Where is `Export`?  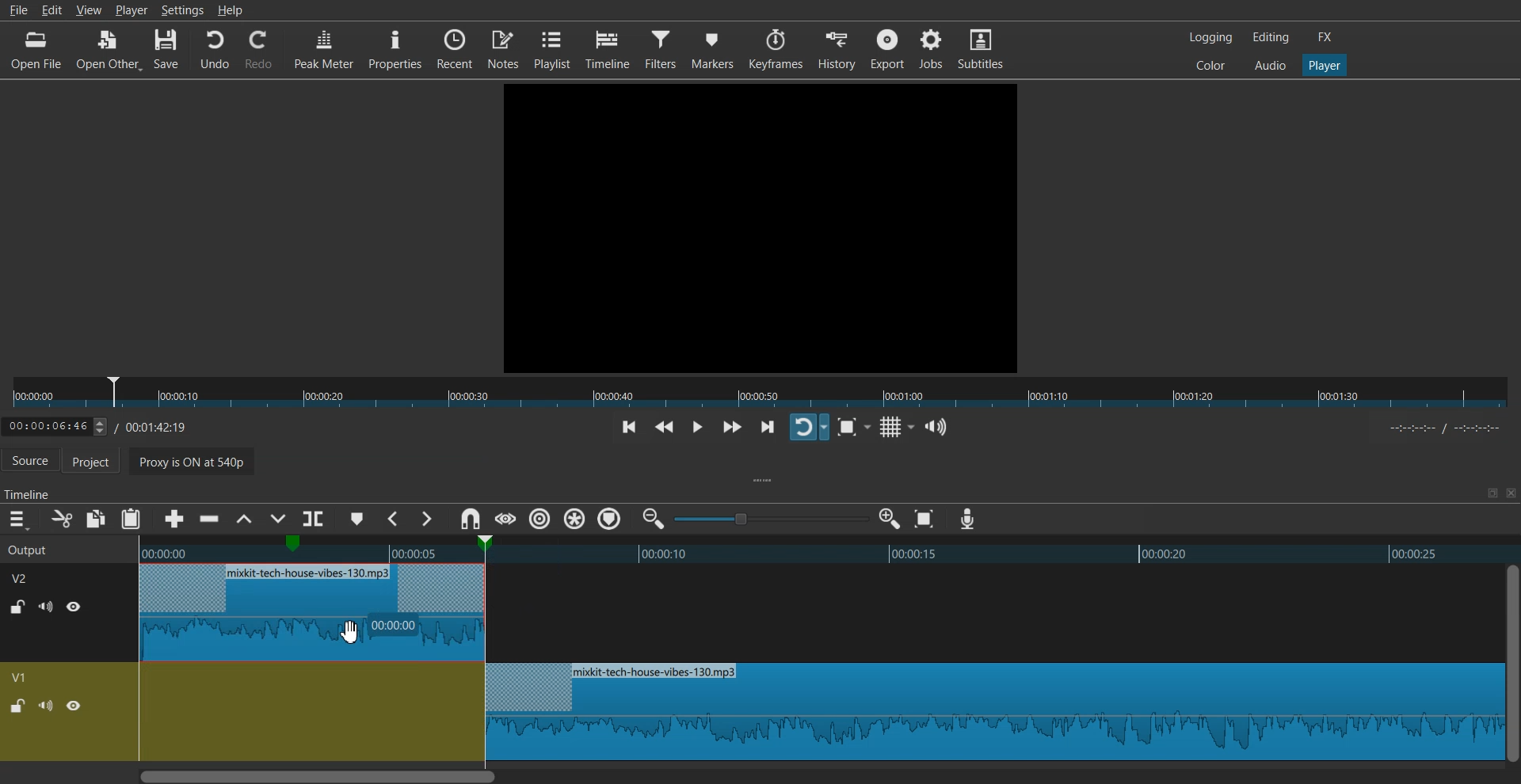
Export is located at coordinates (887, 48).